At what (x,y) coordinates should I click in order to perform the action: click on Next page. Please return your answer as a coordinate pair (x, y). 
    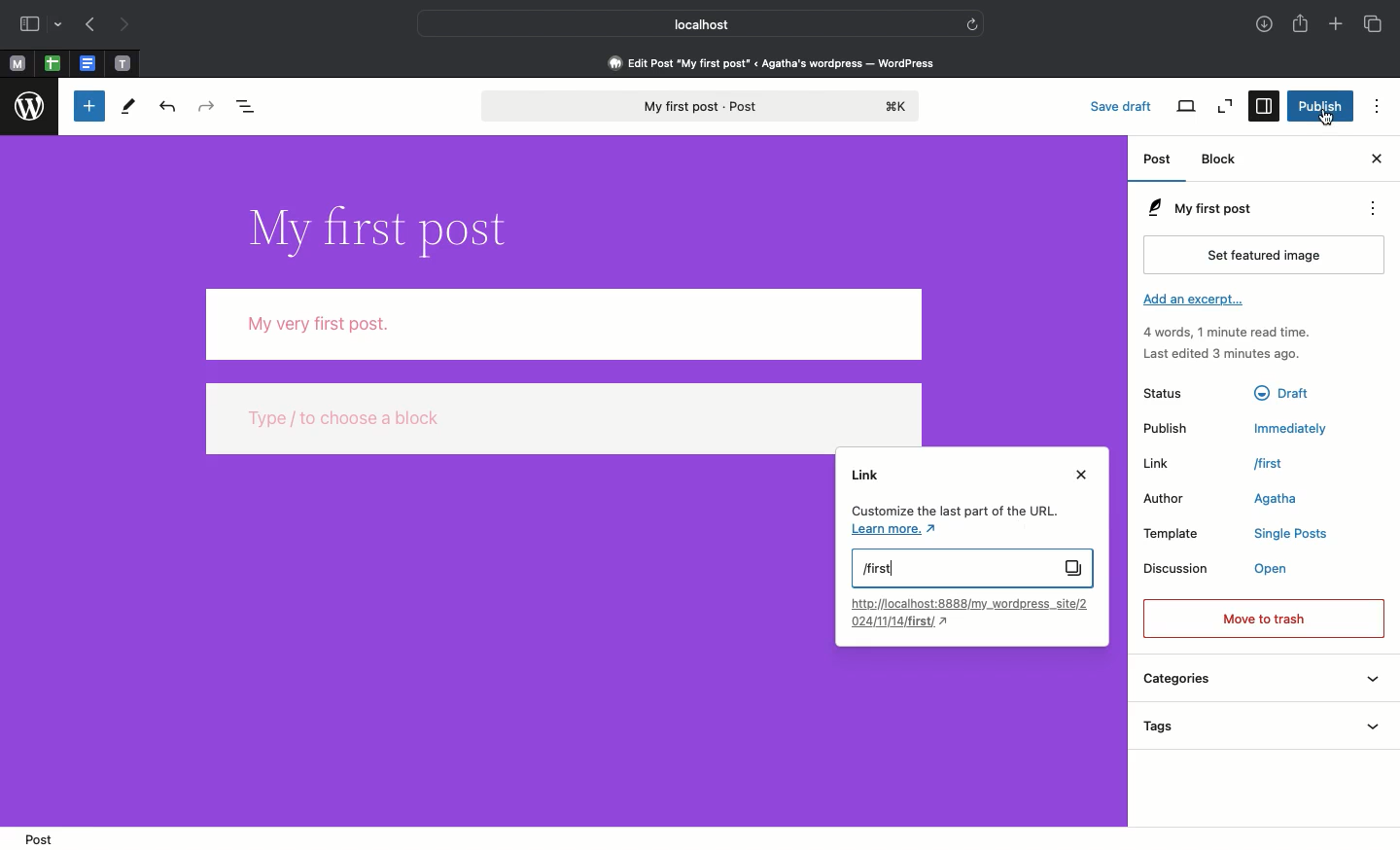
    Looking at the image, I should click on (130, 25).